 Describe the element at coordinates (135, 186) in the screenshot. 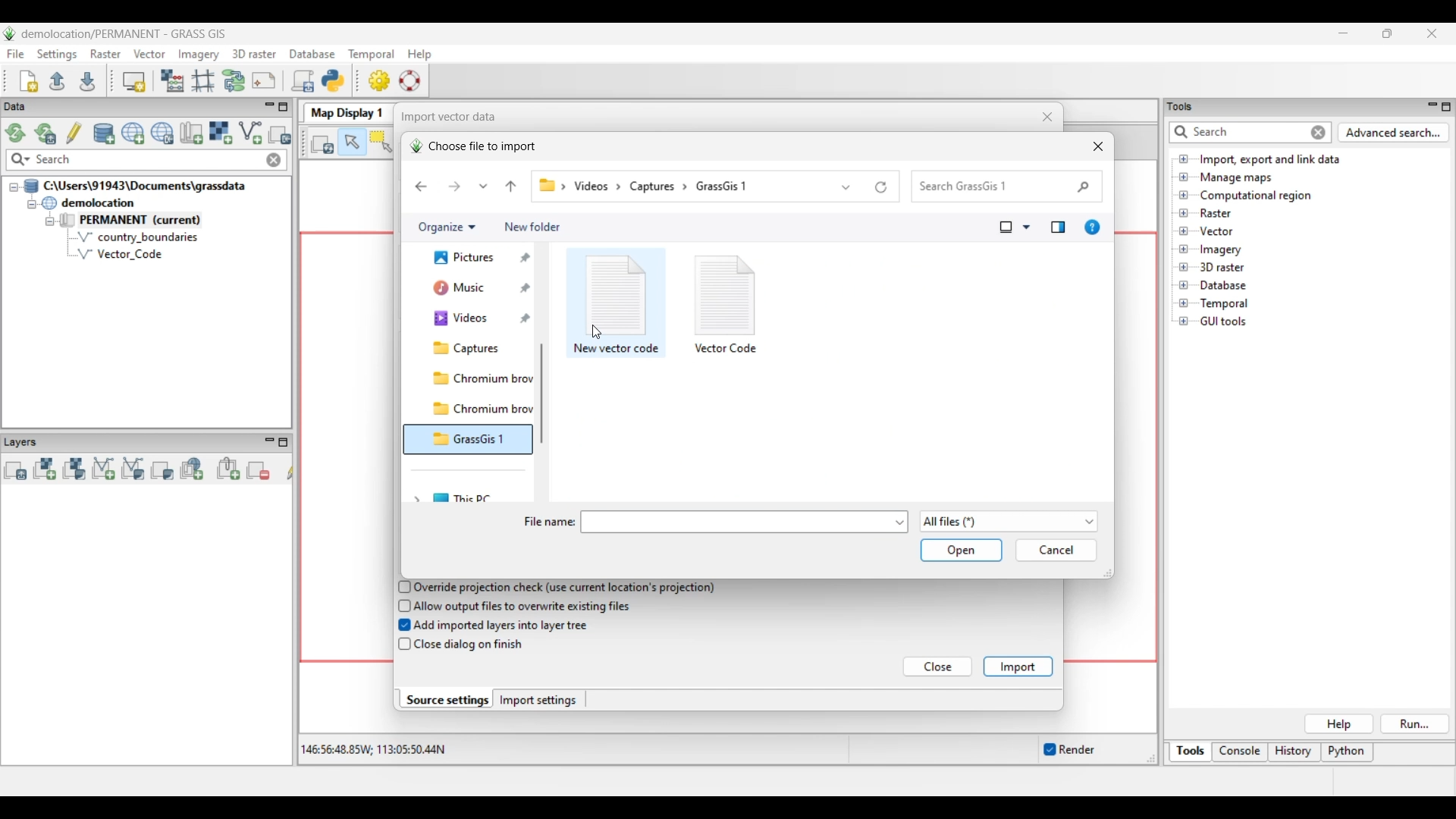

I see `Double click to collapse file thread` at that location.